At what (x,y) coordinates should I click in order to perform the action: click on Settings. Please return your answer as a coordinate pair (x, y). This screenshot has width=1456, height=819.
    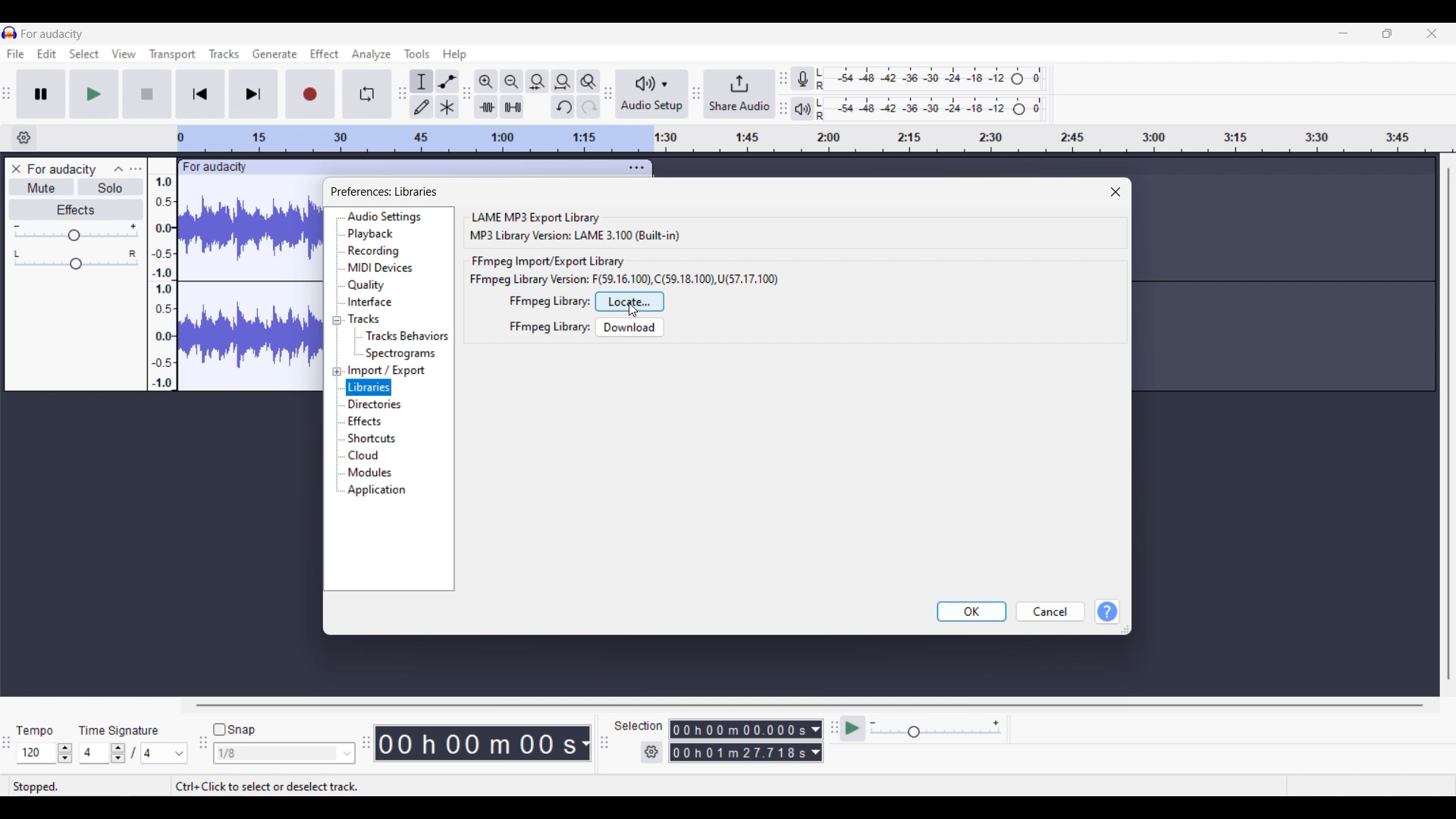
    Looking at the image, I should click on (651, 752).